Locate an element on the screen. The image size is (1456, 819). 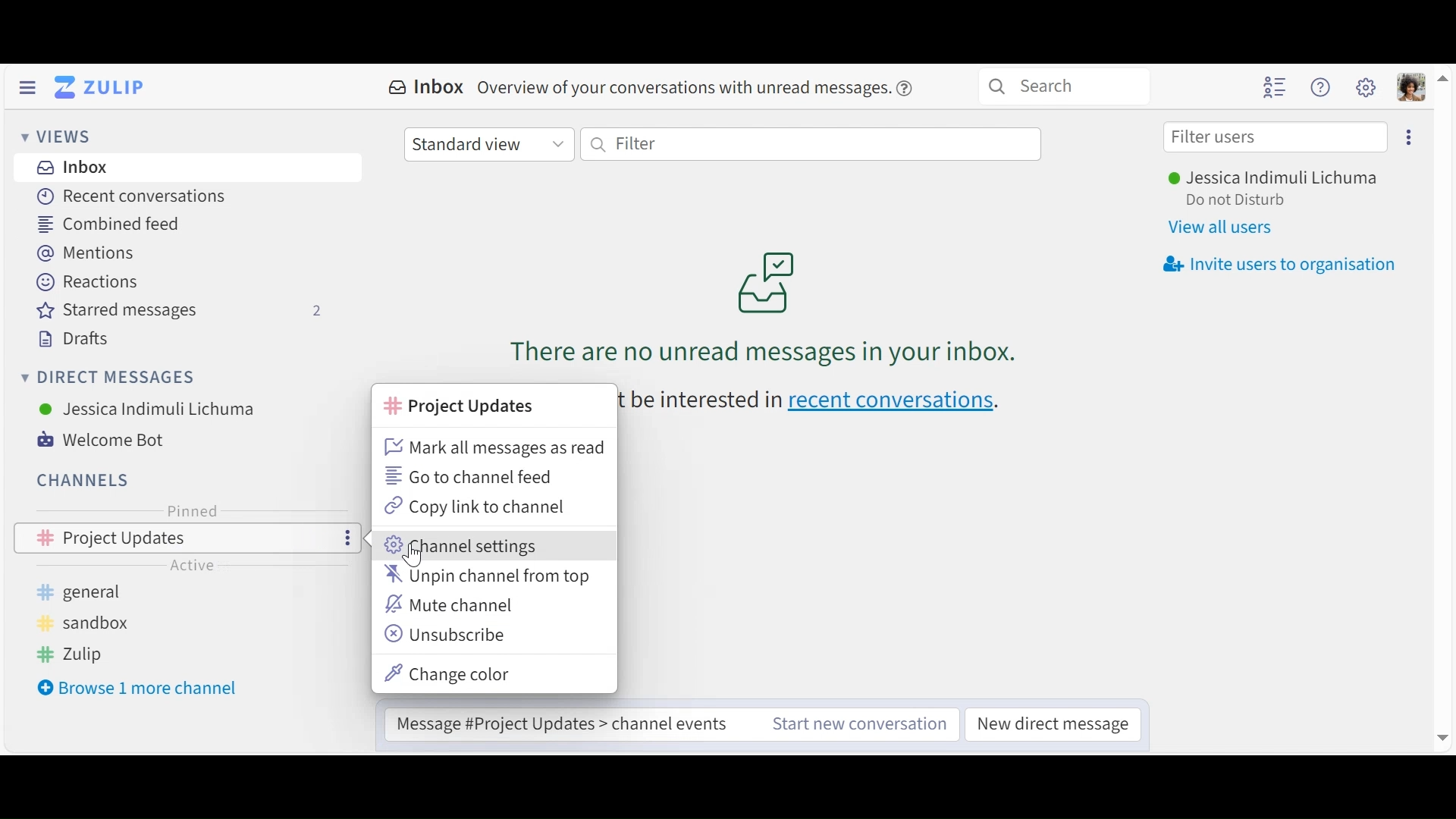
zulip is located at coordinates (72, 654).